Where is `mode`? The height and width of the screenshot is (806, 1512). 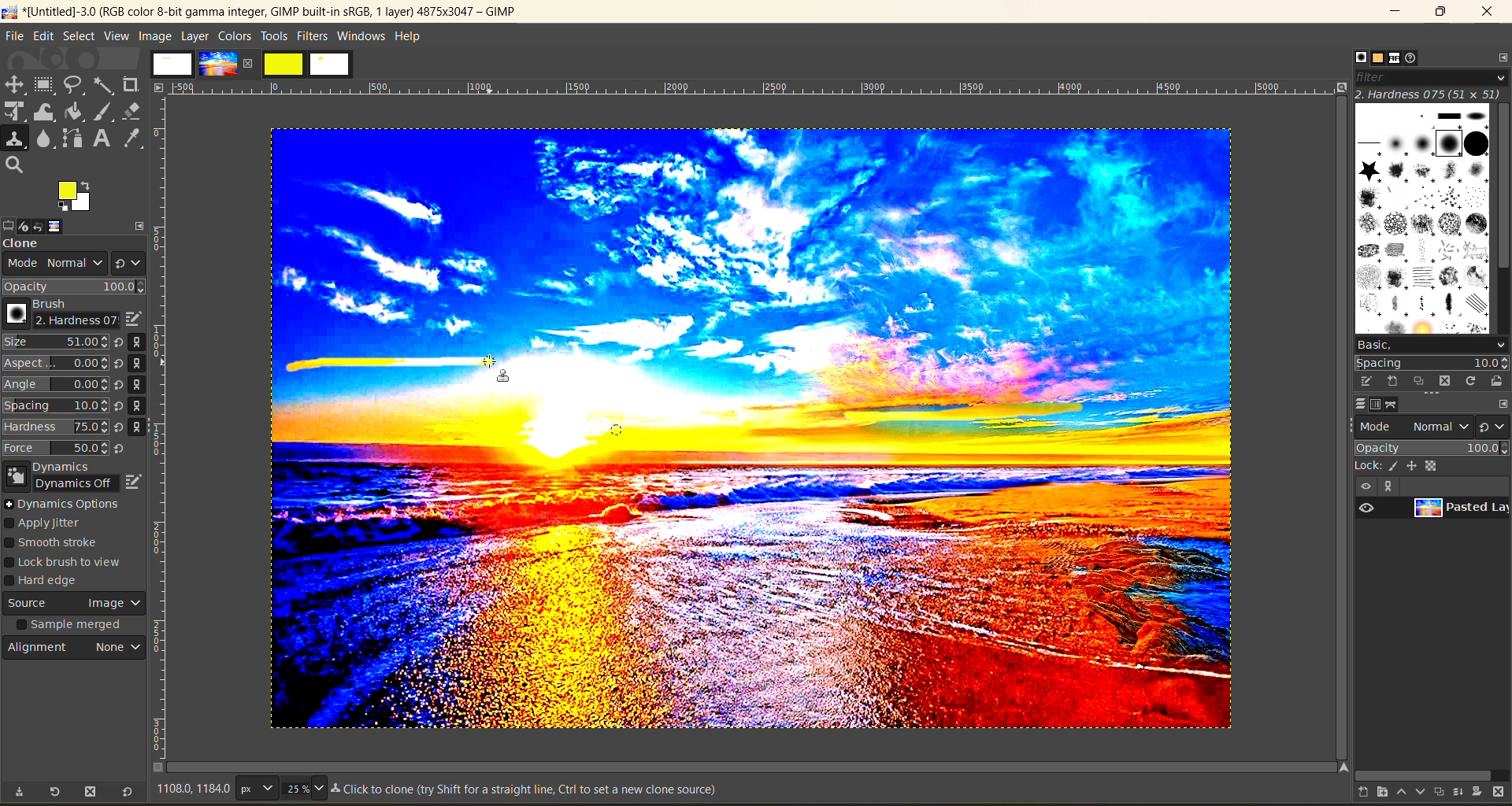
mode is located at coordinates (1415, 425).